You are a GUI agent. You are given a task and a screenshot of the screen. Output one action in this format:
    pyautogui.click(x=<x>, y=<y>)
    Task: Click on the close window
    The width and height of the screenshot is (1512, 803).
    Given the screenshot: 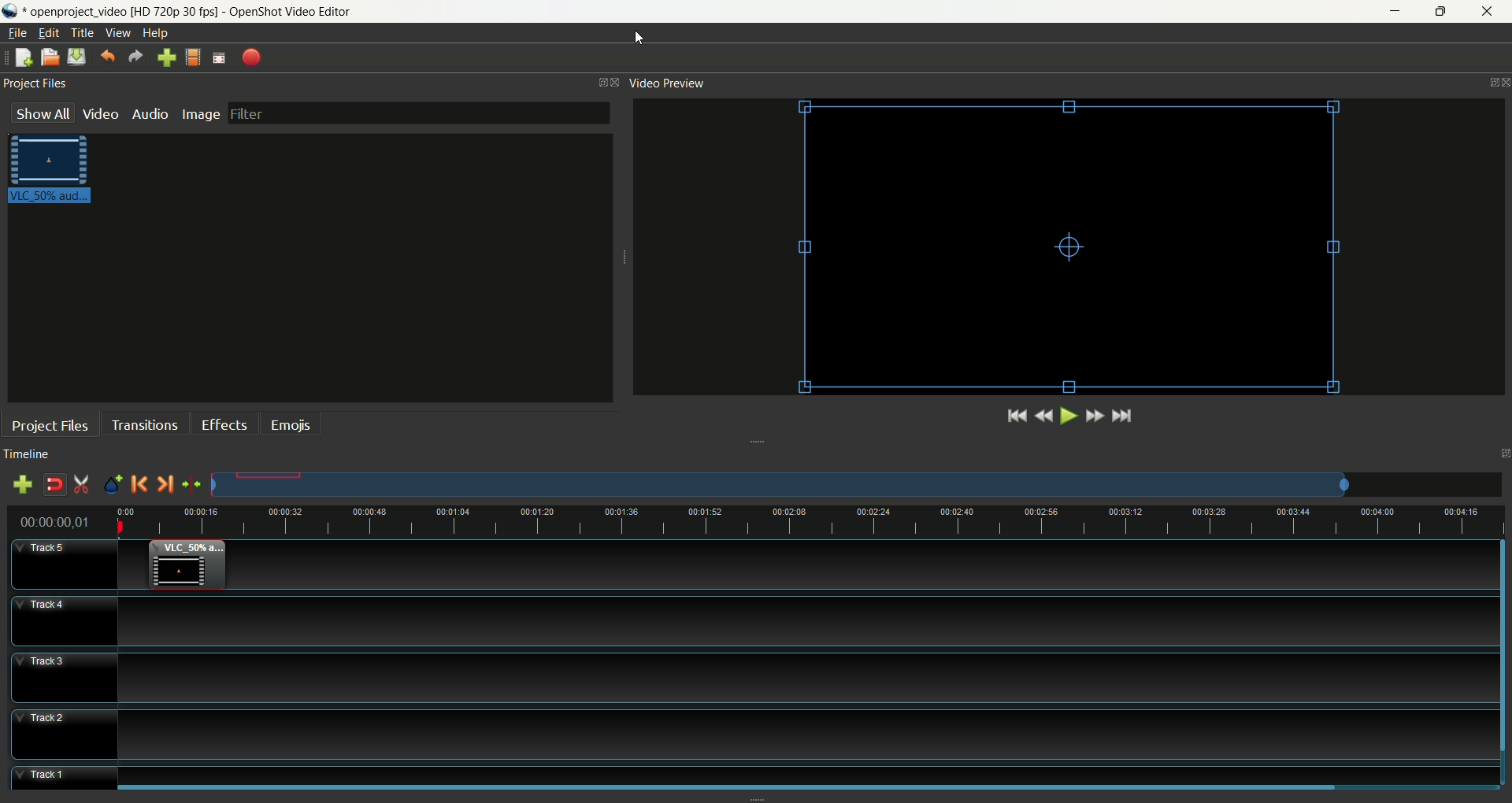 What is the action you would take?
    pyautogui.click(x=618, y=81)
    